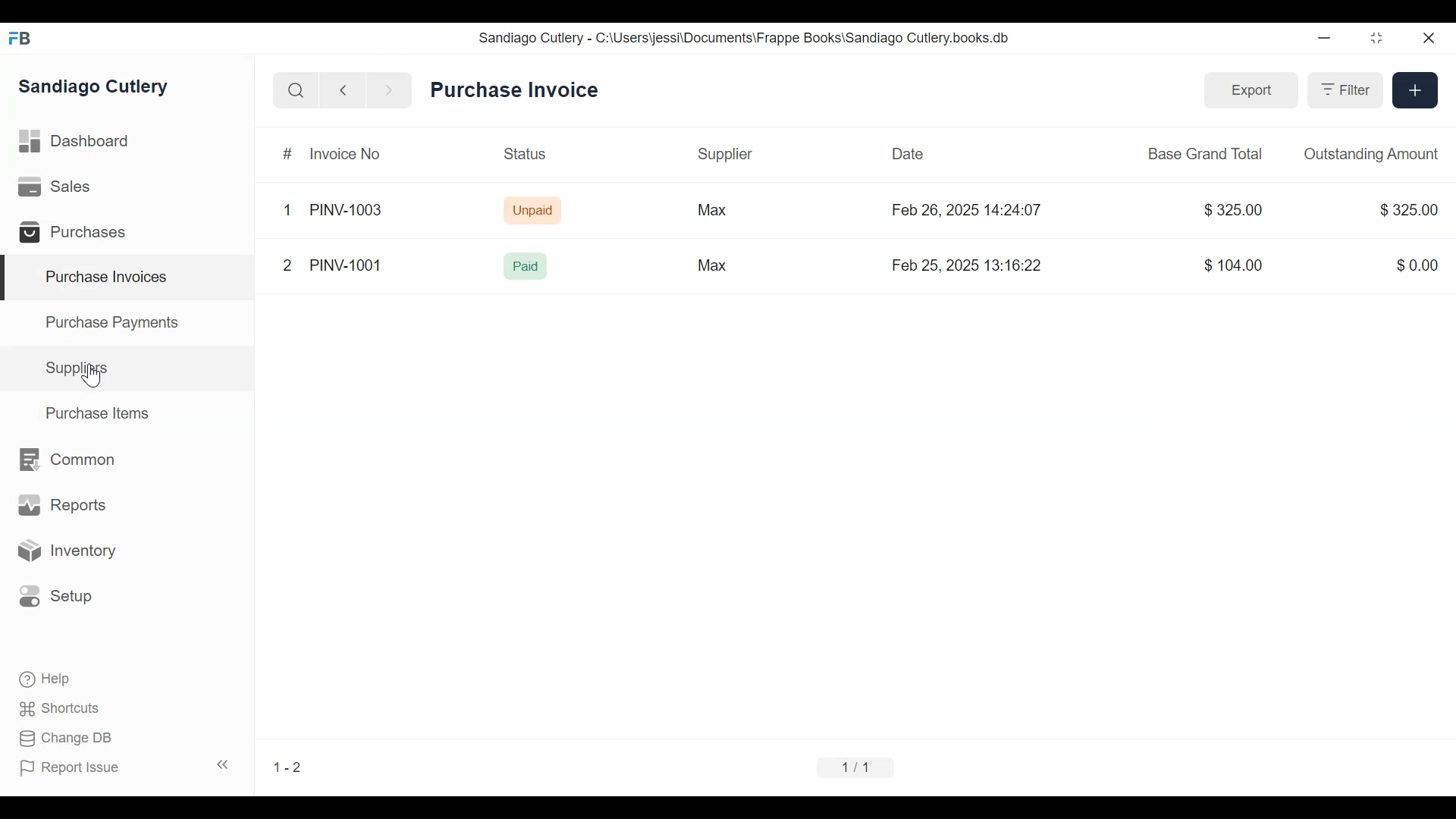 Image resolution: width=1456 pixels, height=819 pixels. Describe the element at coordinates (97, 411) in the screenshot. I see `Purchase items` at that location.